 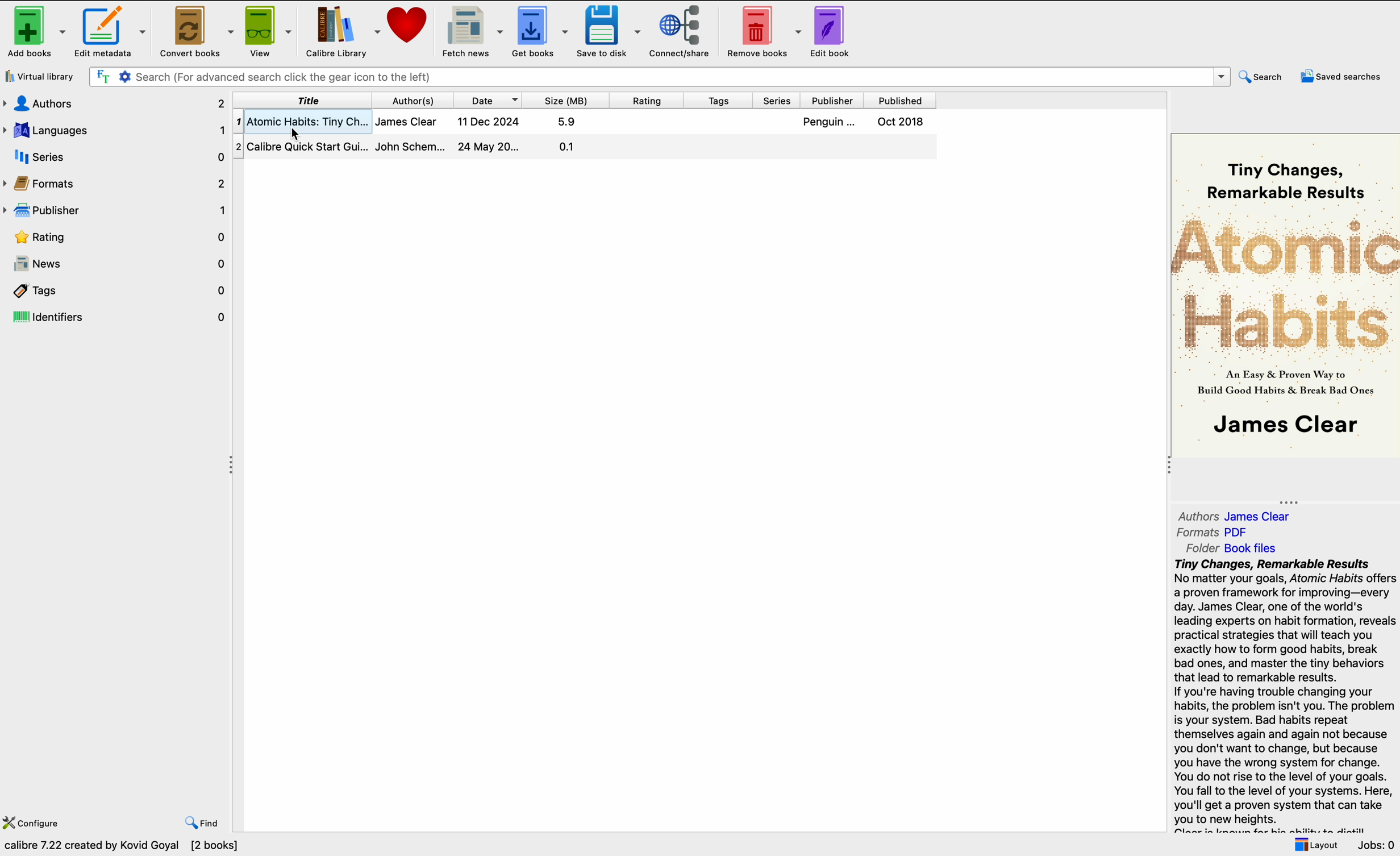 I want to click on date, so click(x=489, y=101).